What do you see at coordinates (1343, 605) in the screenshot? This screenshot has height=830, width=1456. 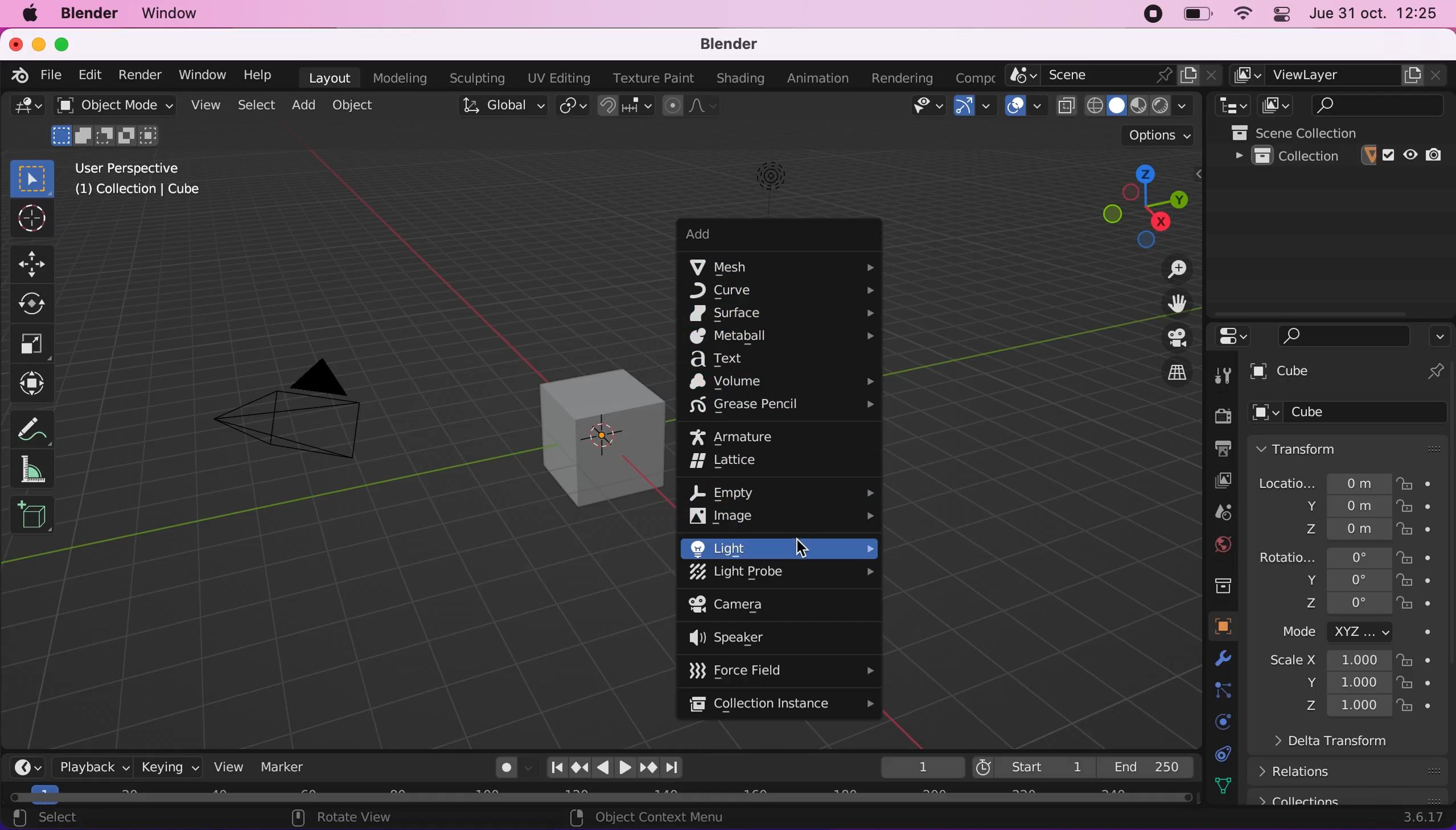 I see `z 0` at bounding box center [1343, 605].